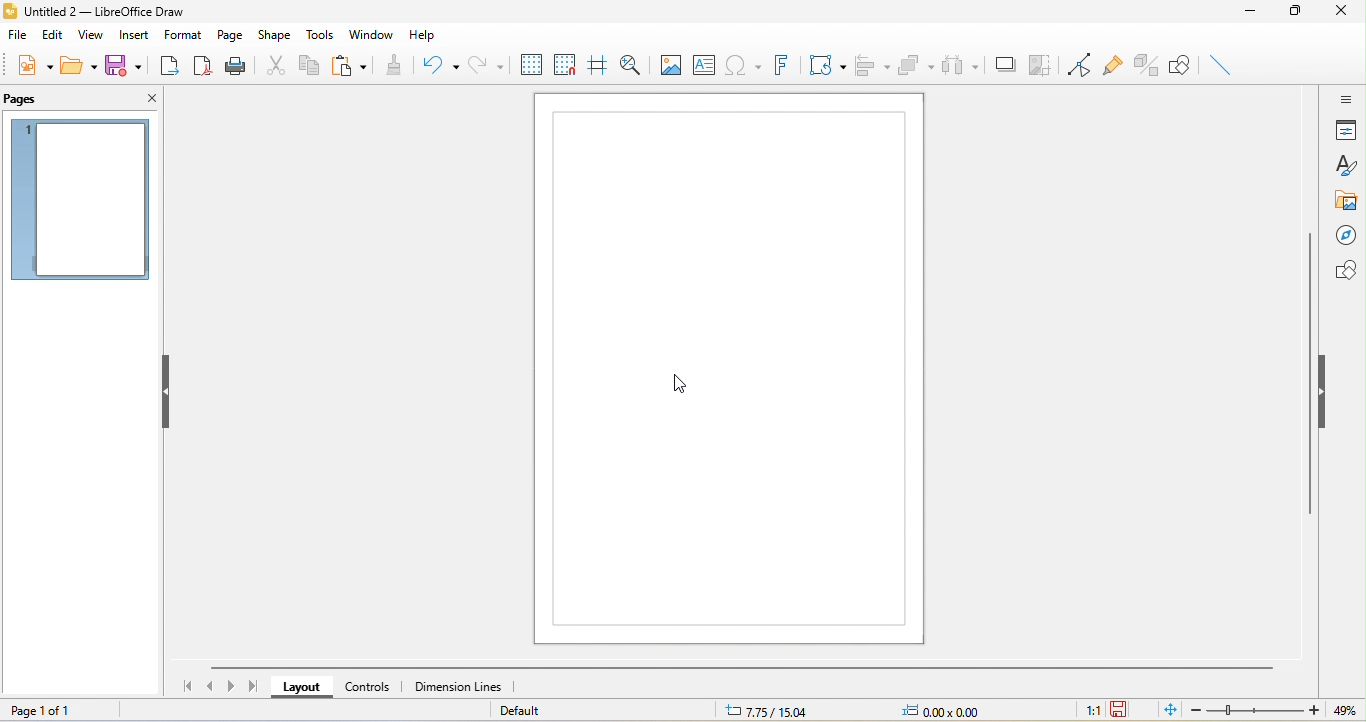  I want to click on default, so click(535, 713).